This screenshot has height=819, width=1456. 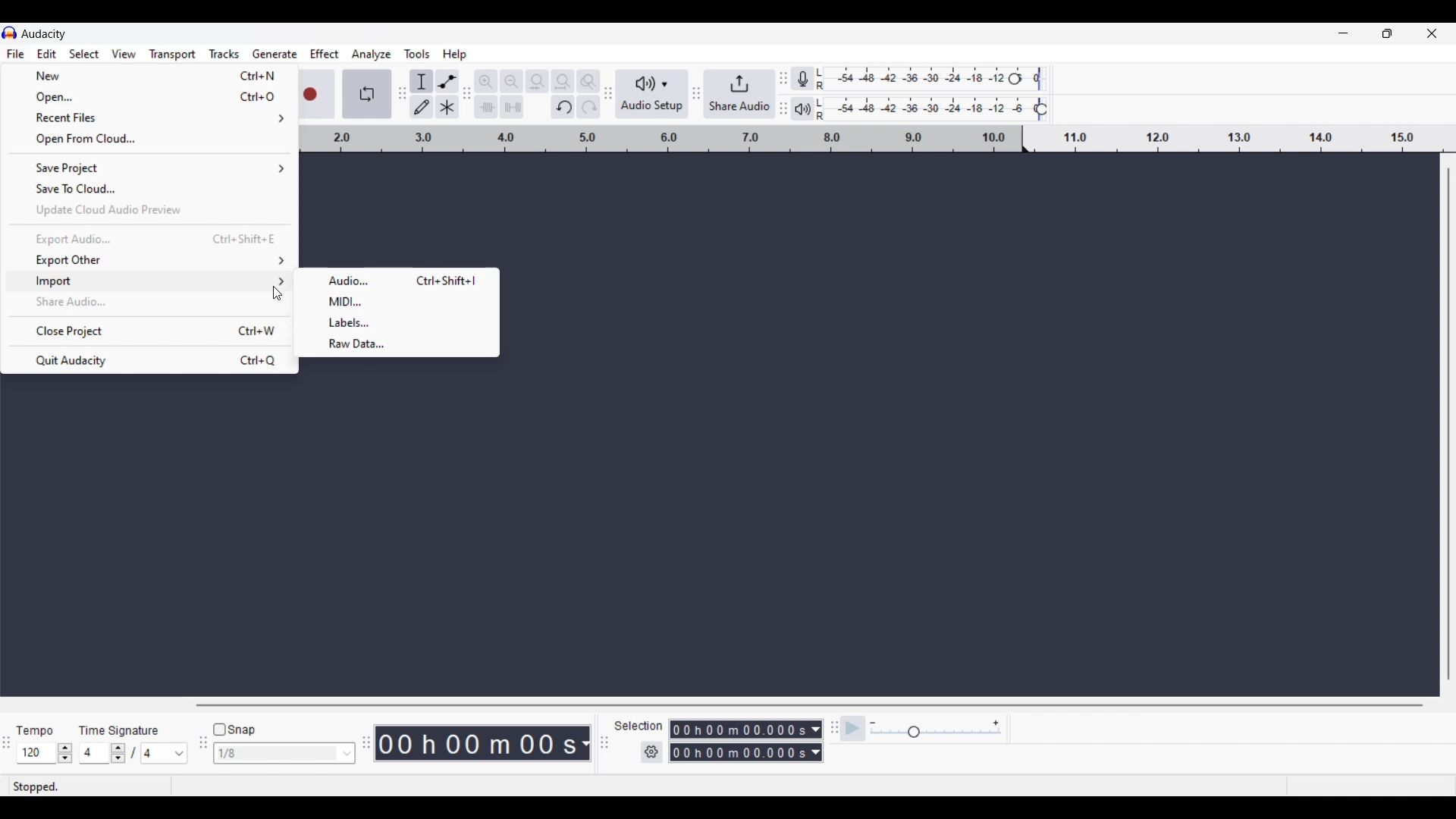 I want to click on Quit audacity   Ctrl+Q, so click(x=149, y=360).